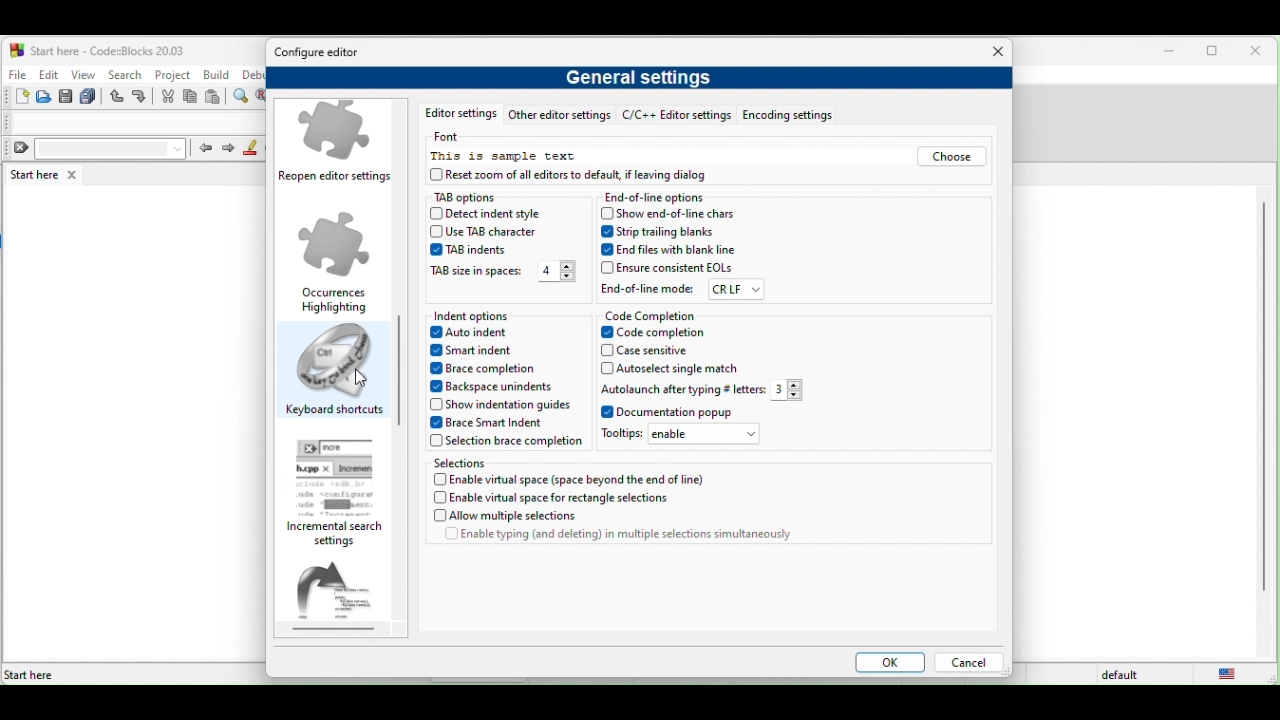 The height and width of the screenshot is (720, 1280). Describe the element at coordinates (653, 315) in the screenshot. I see `code completion` at that location.